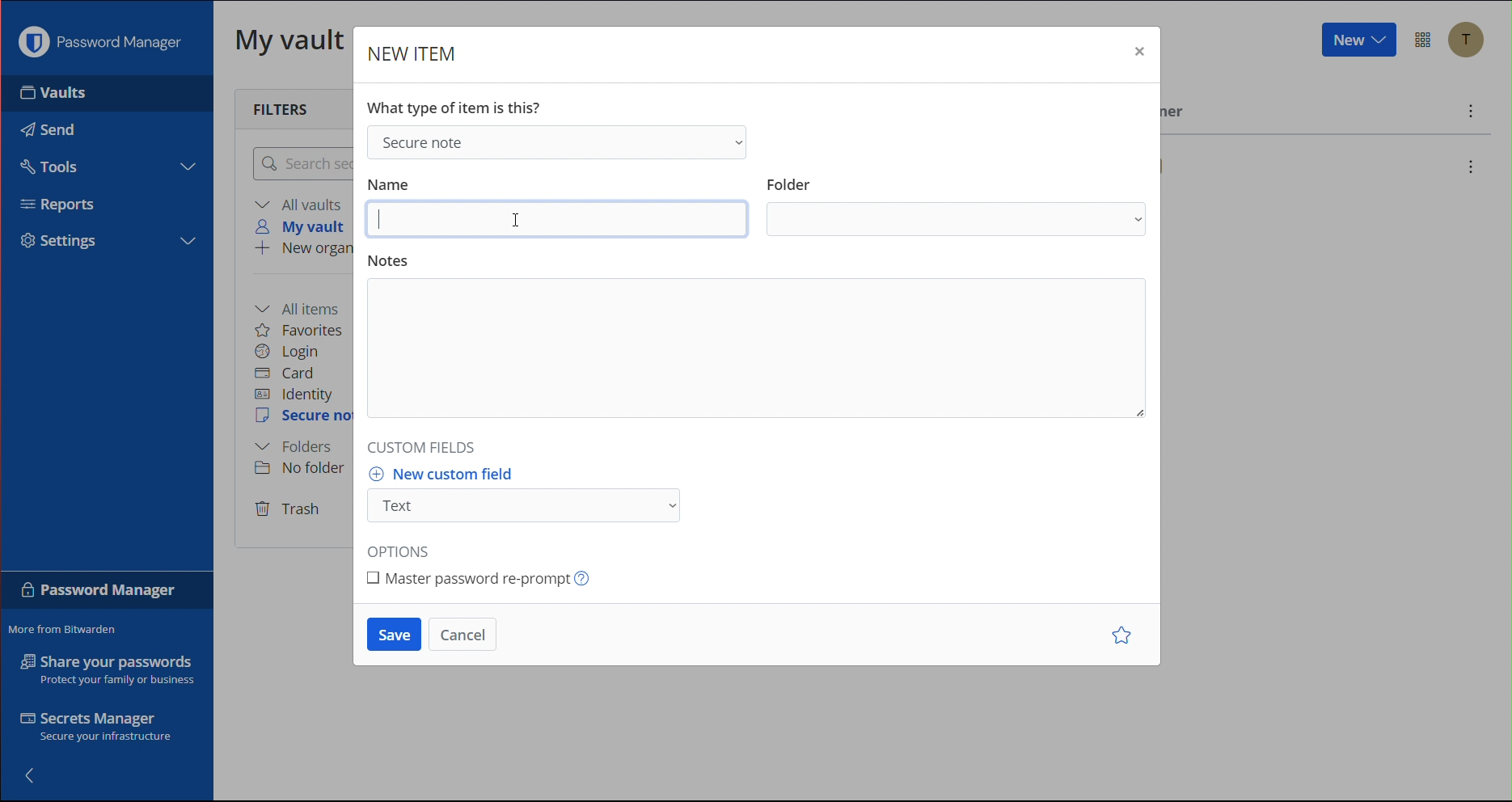 Image resolution: width=1512 pixels, height=802 pixels. I want to click on Text (dropdown), so click(529, 506).